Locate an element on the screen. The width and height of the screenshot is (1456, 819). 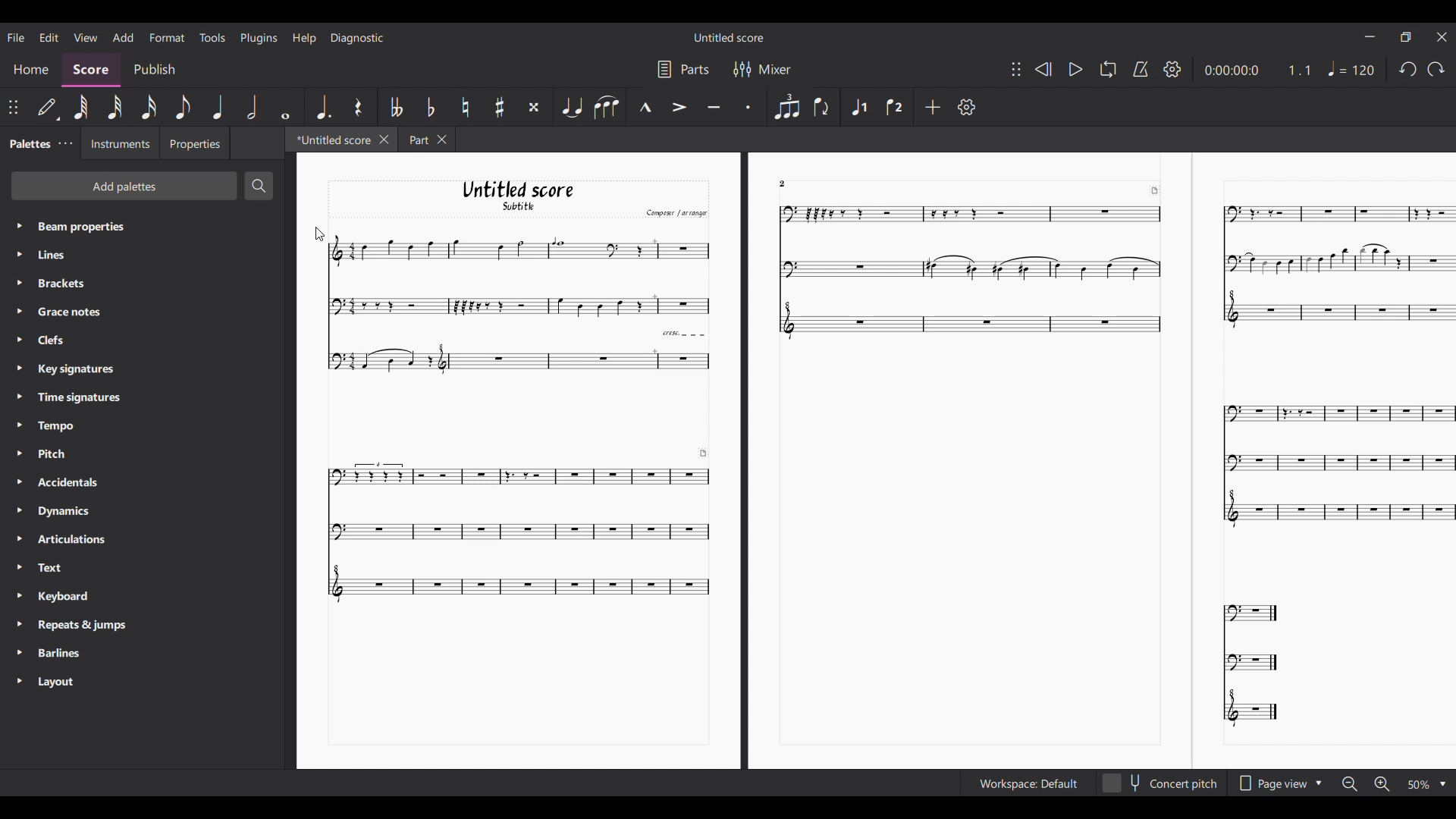
Staccato is located at coordinates (747, 106).